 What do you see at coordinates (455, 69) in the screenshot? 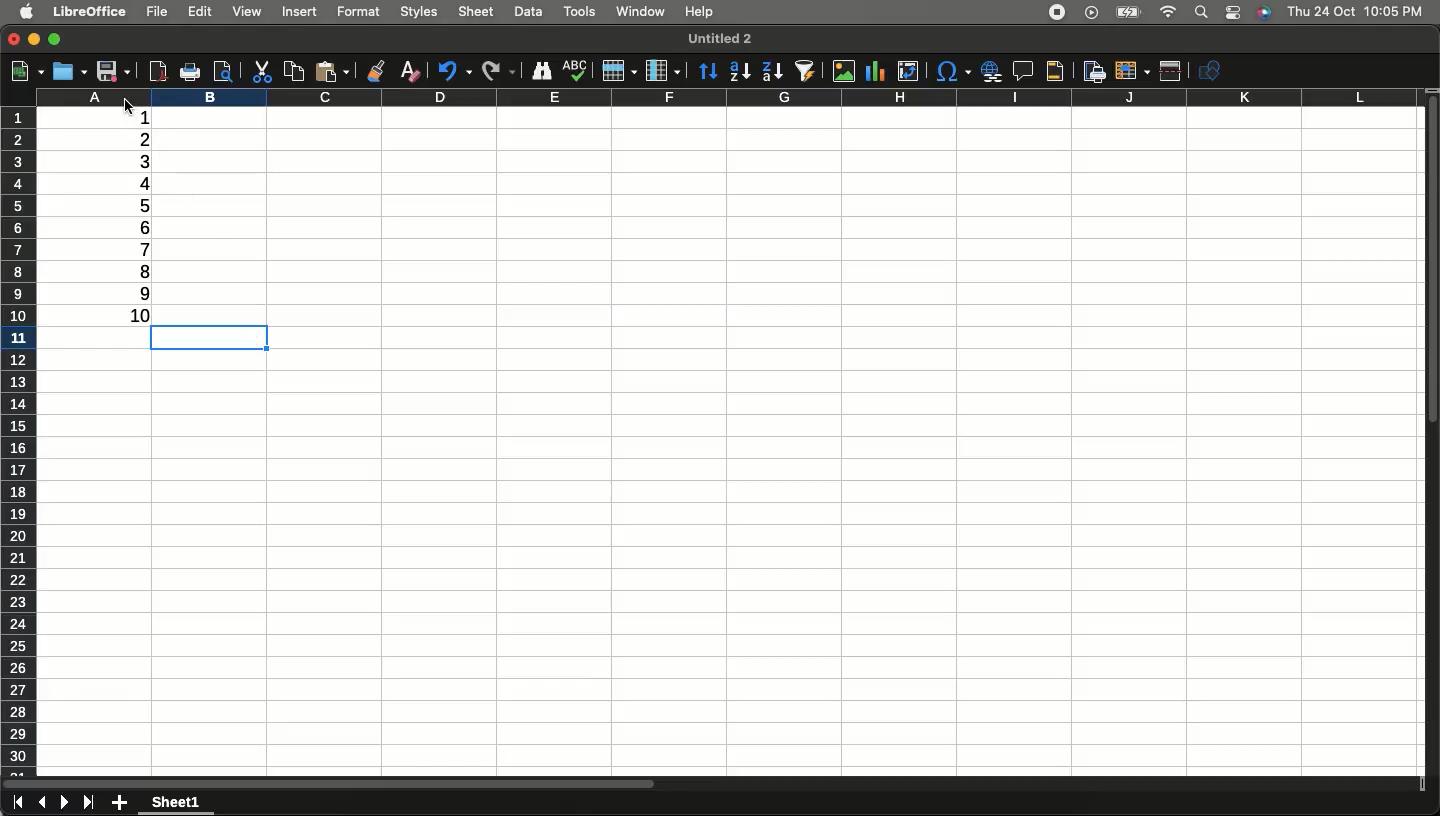
I see `Uno` at bounding box center [455, 69].